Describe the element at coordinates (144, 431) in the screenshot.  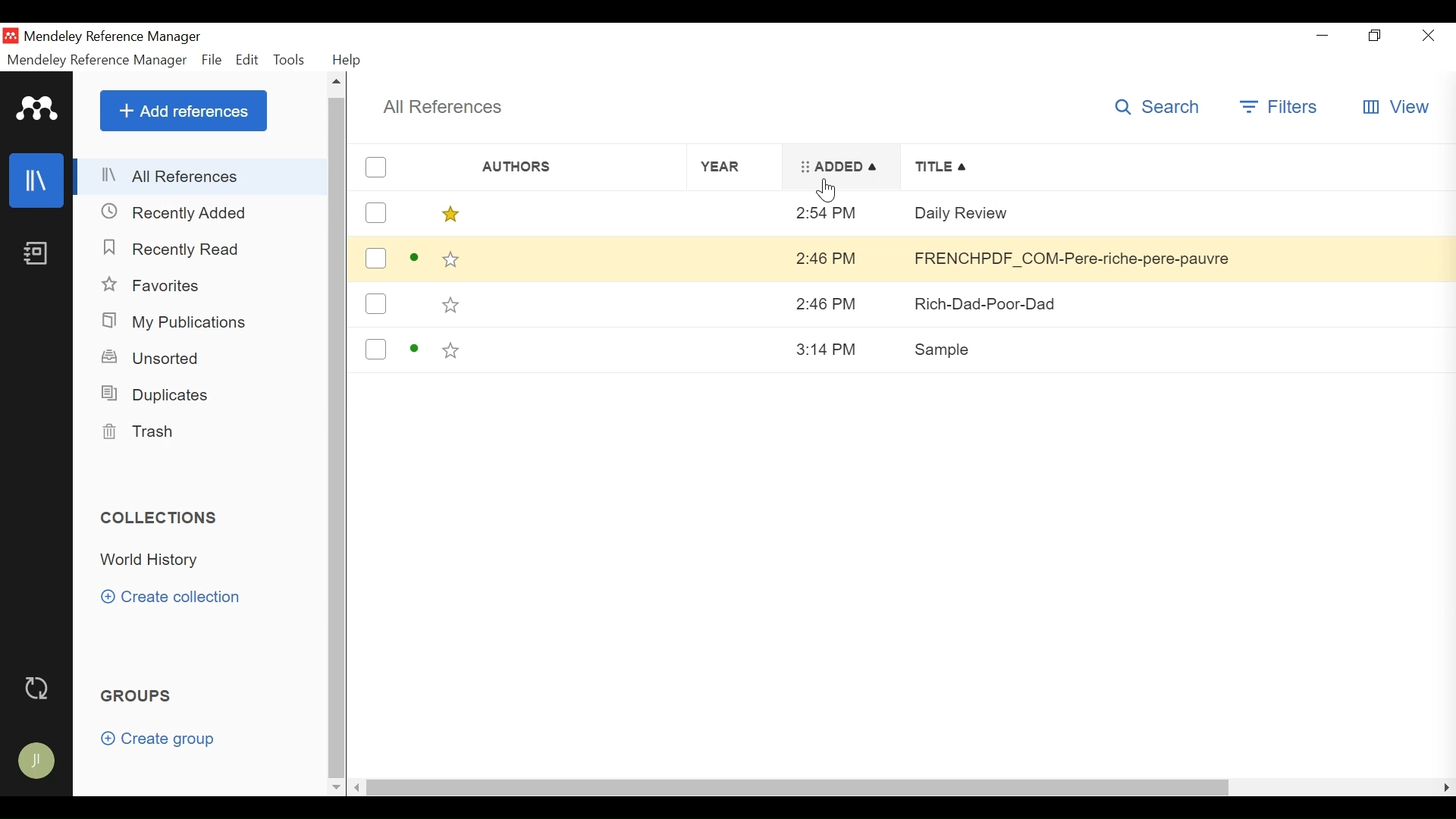
I see `Trash` at that location.